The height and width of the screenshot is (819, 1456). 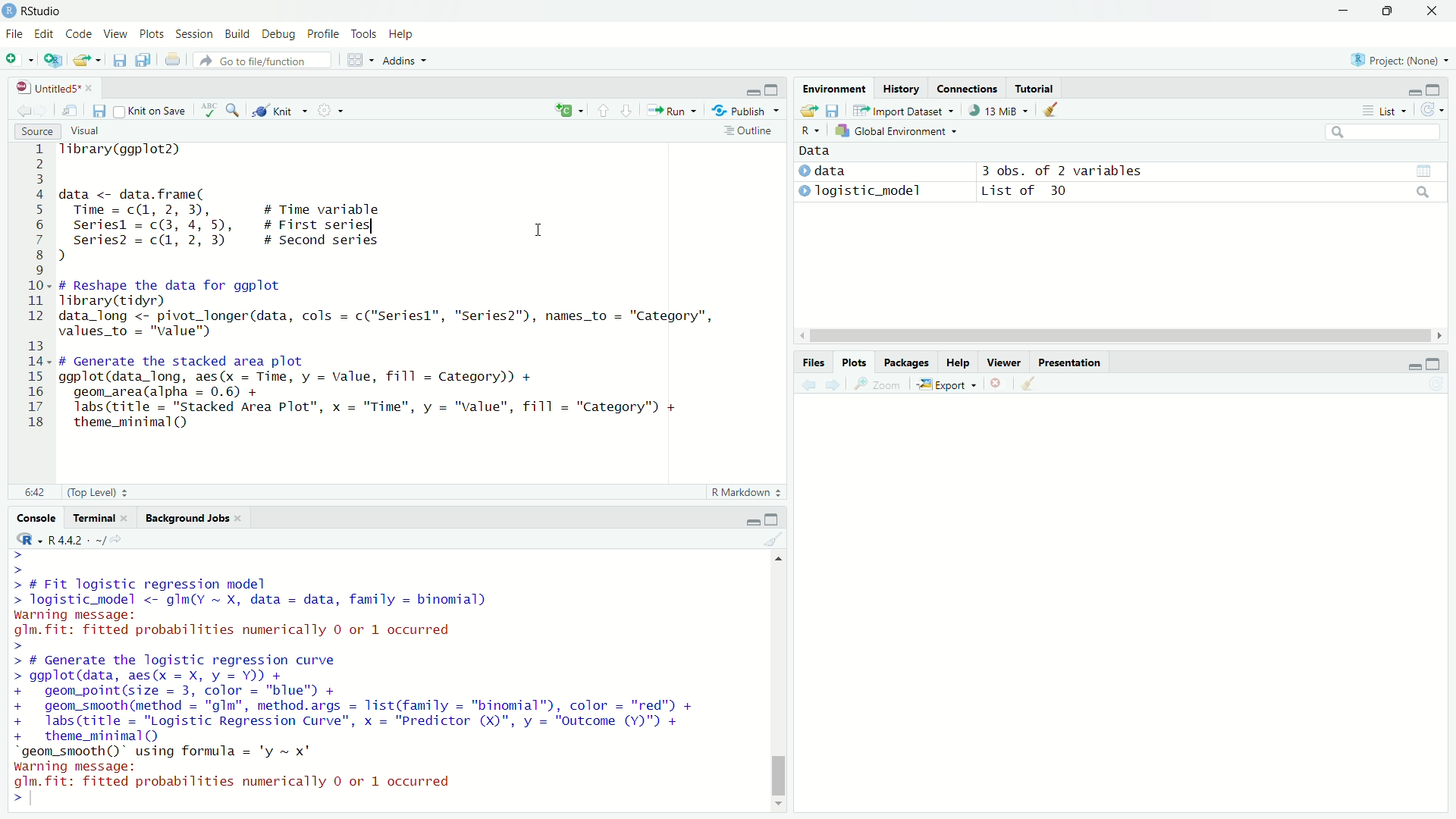 What do you see at coordinates (153, 33) in the screenshot?
I see `Plots` at bounding box center [153, 33].